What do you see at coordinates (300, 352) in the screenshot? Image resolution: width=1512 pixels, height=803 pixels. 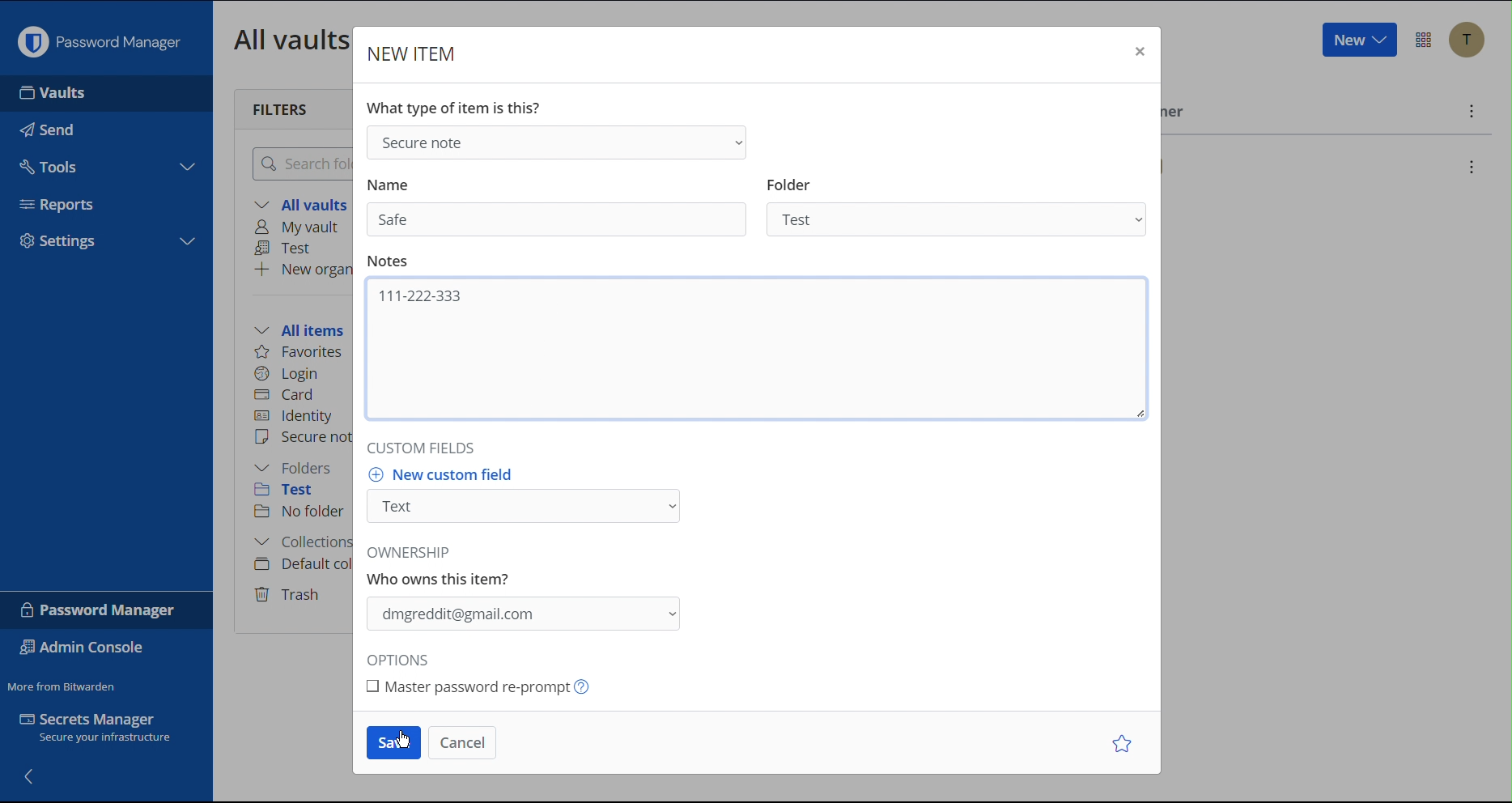 I see `Favorites` at bounding box center [300, 352].